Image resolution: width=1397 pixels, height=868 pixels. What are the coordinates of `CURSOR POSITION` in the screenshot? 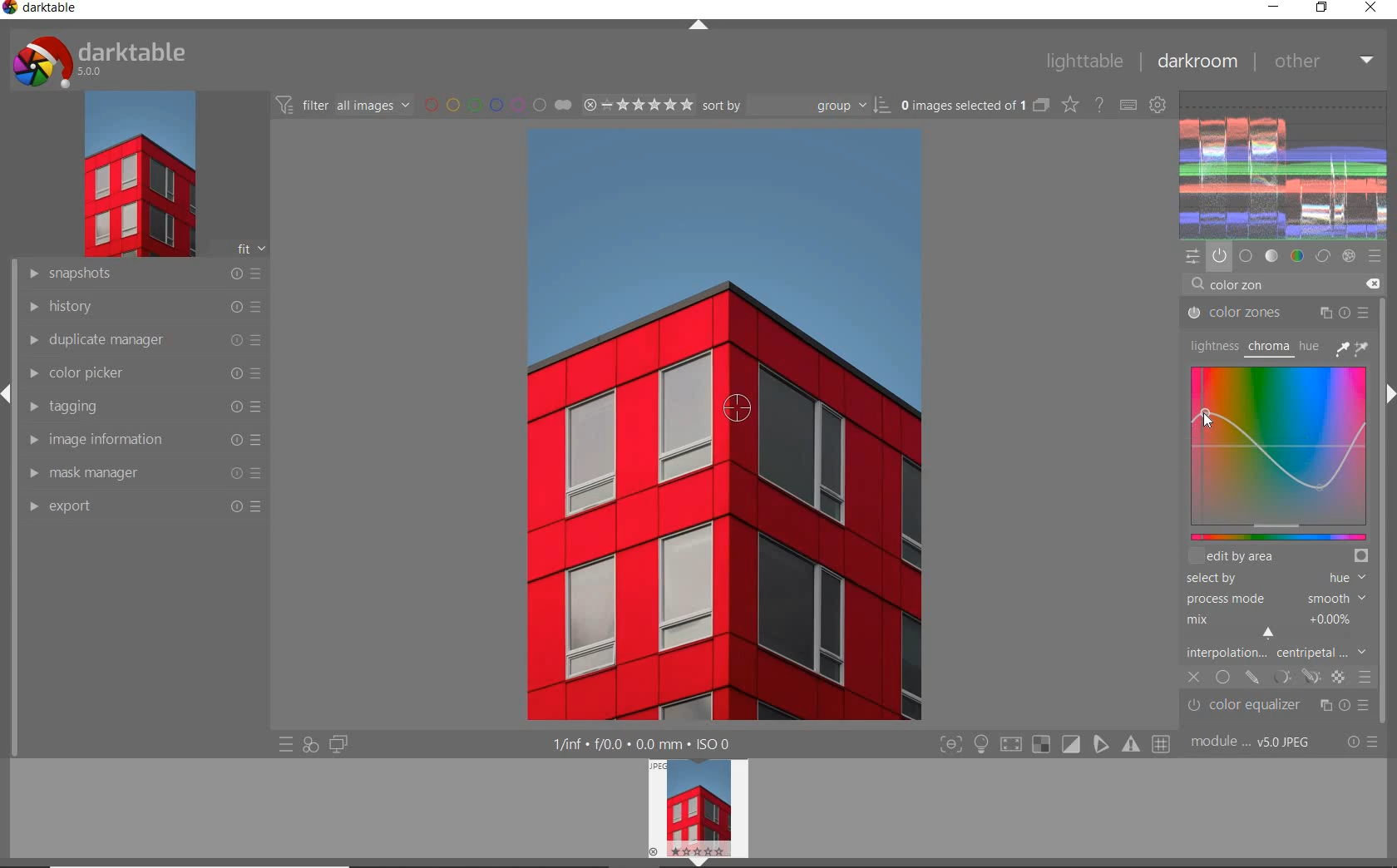 It's located at (1270, 632).